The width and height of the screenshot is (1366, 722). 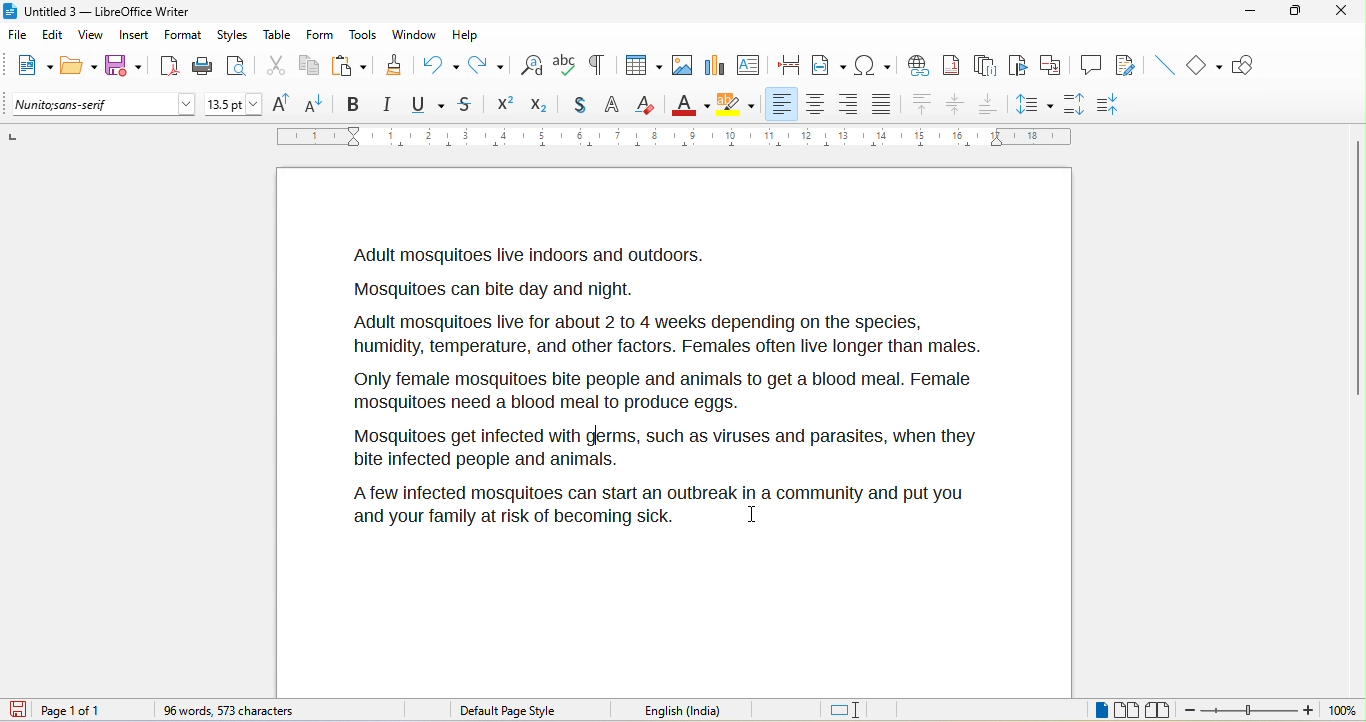 I want to click on Untitled 3 — LibreOffice Writer, so click(x=105, y=11).